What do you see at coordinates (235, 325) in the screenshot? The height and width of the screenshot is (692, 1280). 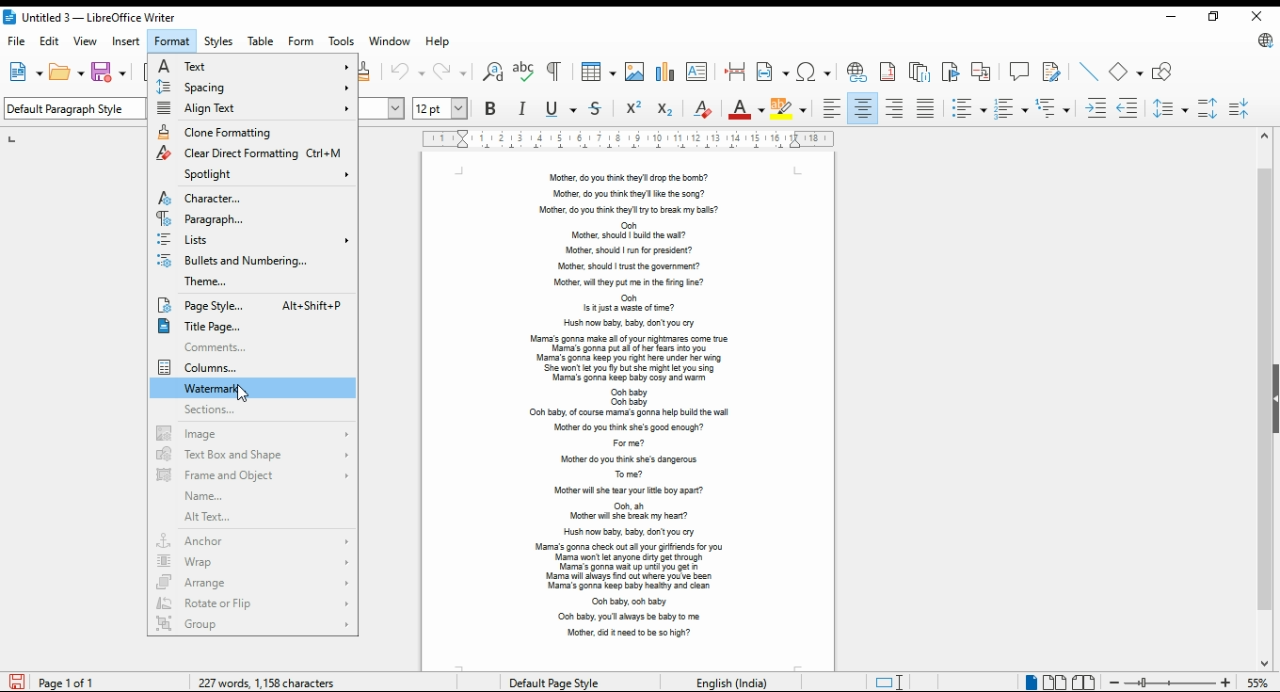 I see `title page` at bounding box center [235, 325].